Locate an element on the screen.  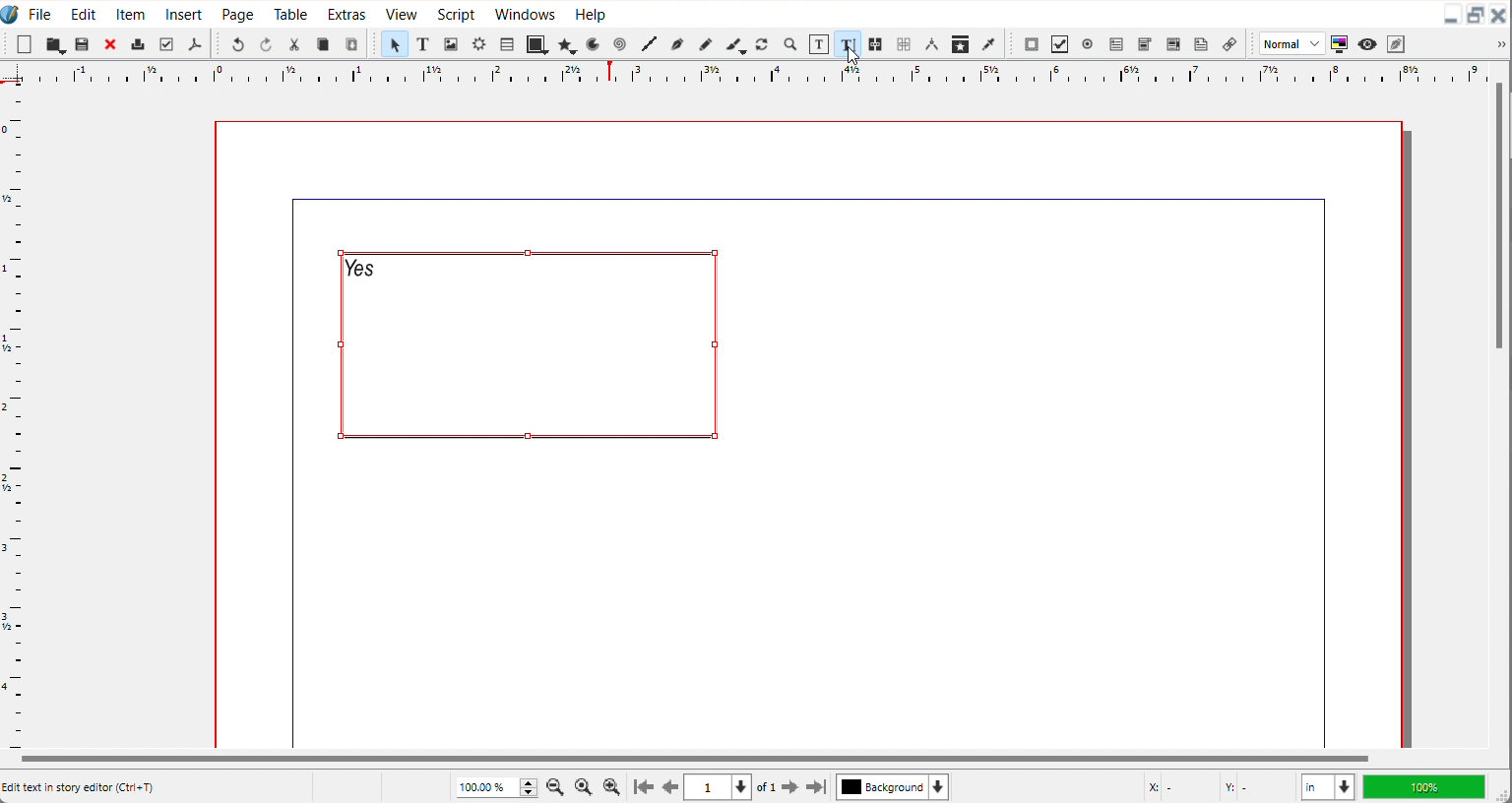
Text Frame is located at coordinates (423, 43).